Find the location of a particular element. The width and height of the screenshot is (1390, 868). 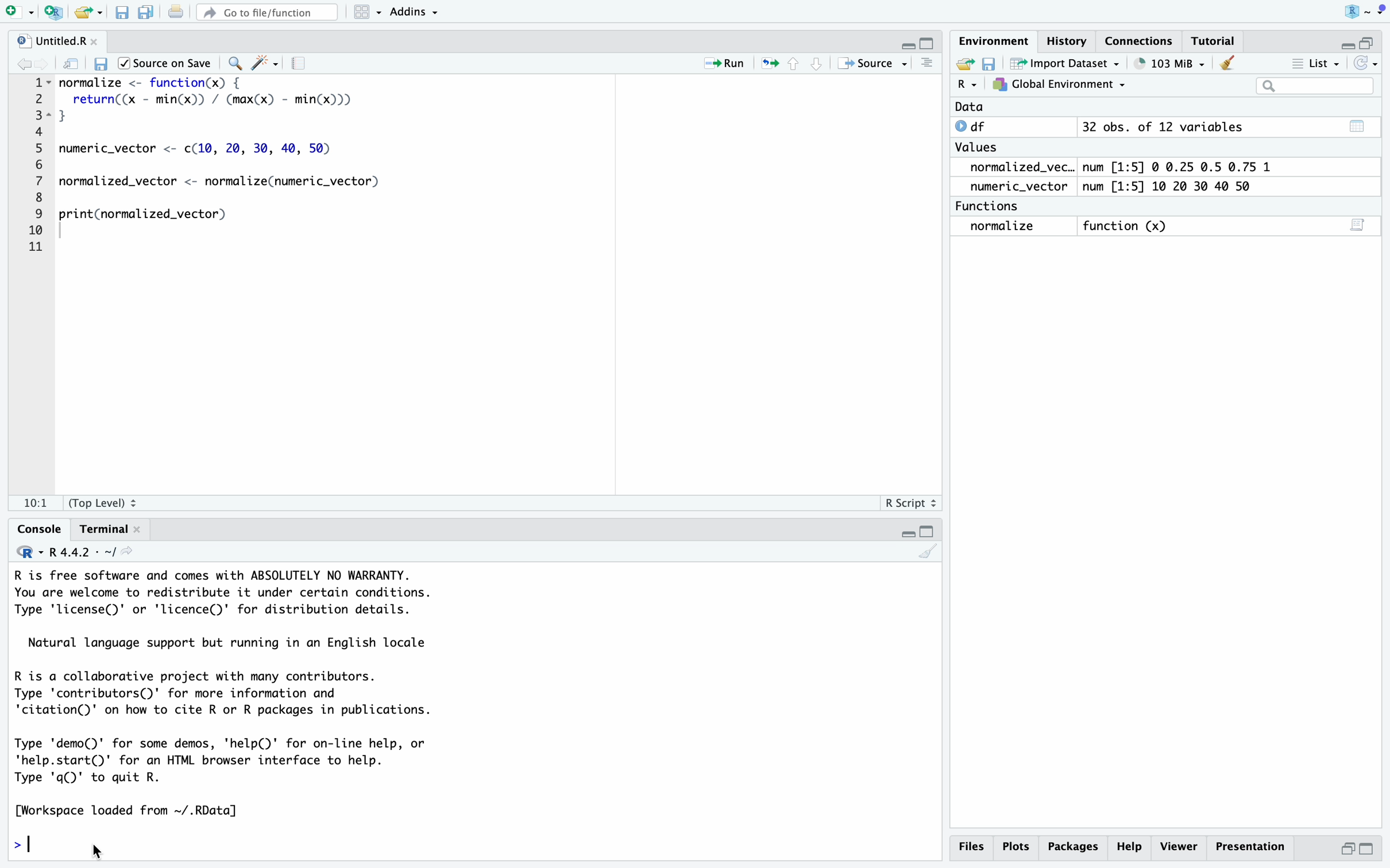

Go back to the previous source location (Ctrl + F9) is located at coordinates (25, 62).